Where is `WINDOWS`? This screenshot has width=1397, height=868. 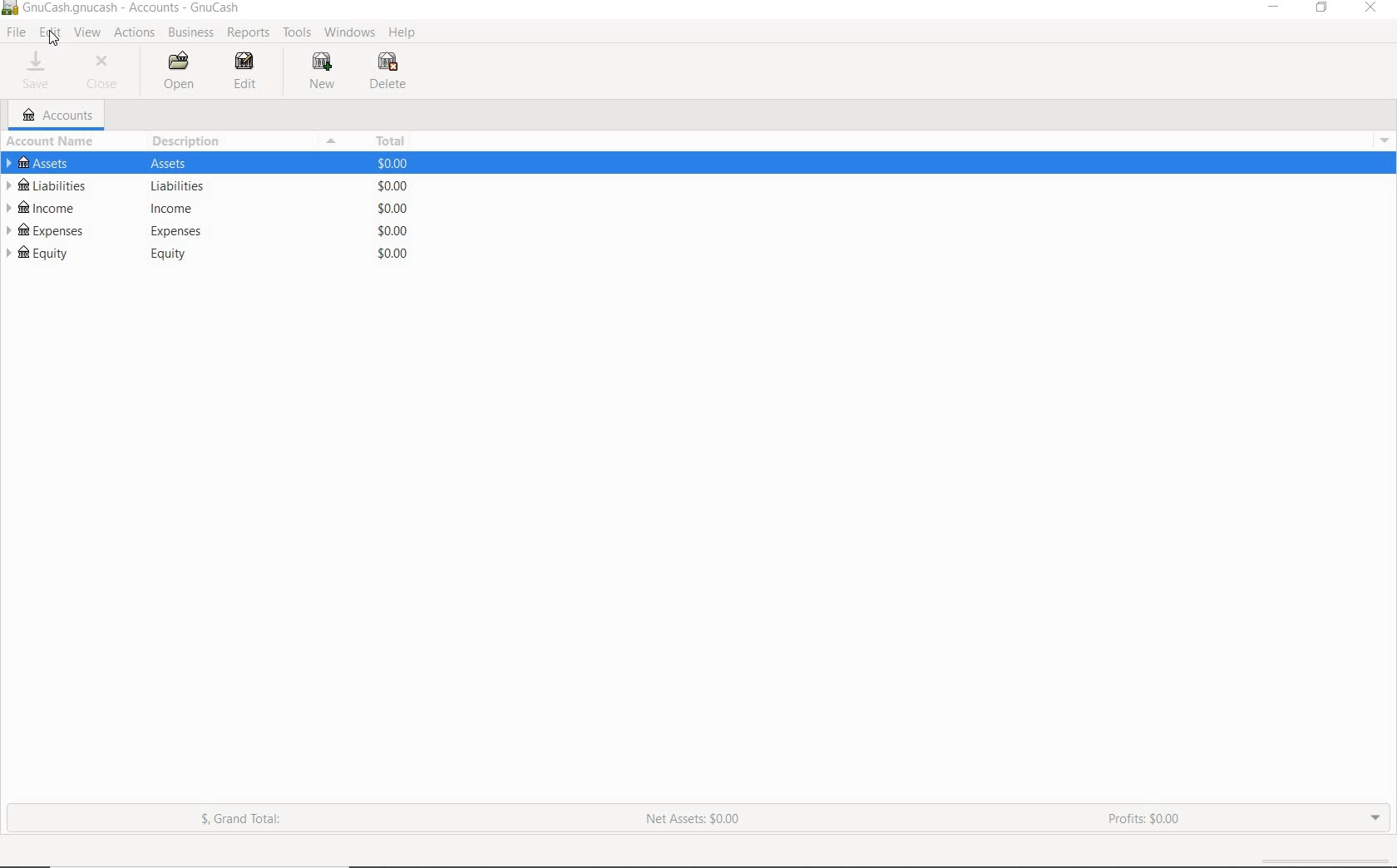
WINDOWS is located at coordinates (351, 32).